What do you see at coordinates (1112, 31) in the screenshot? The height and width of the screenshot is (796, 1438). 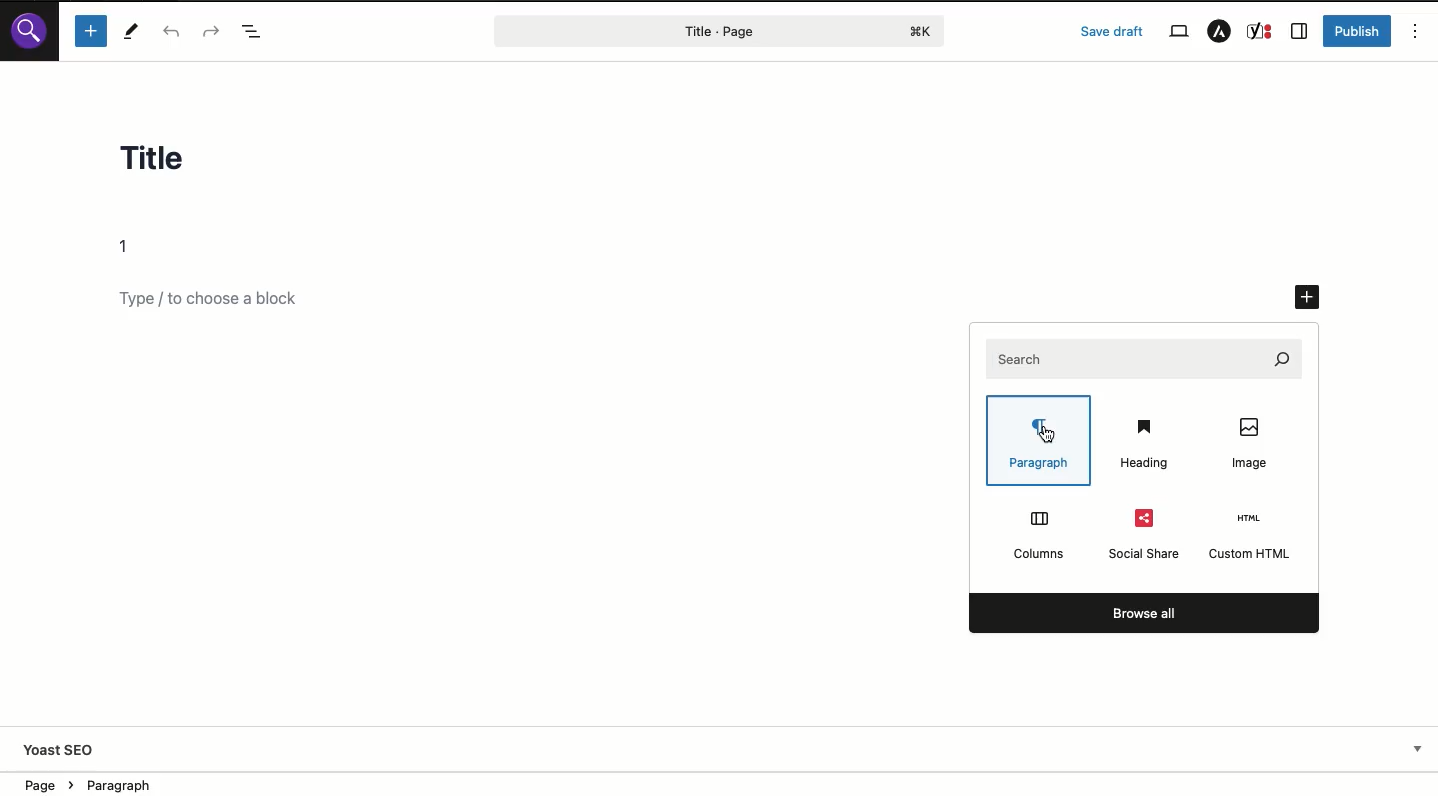 I see `Save draft` at bounding box center [1112, 31].